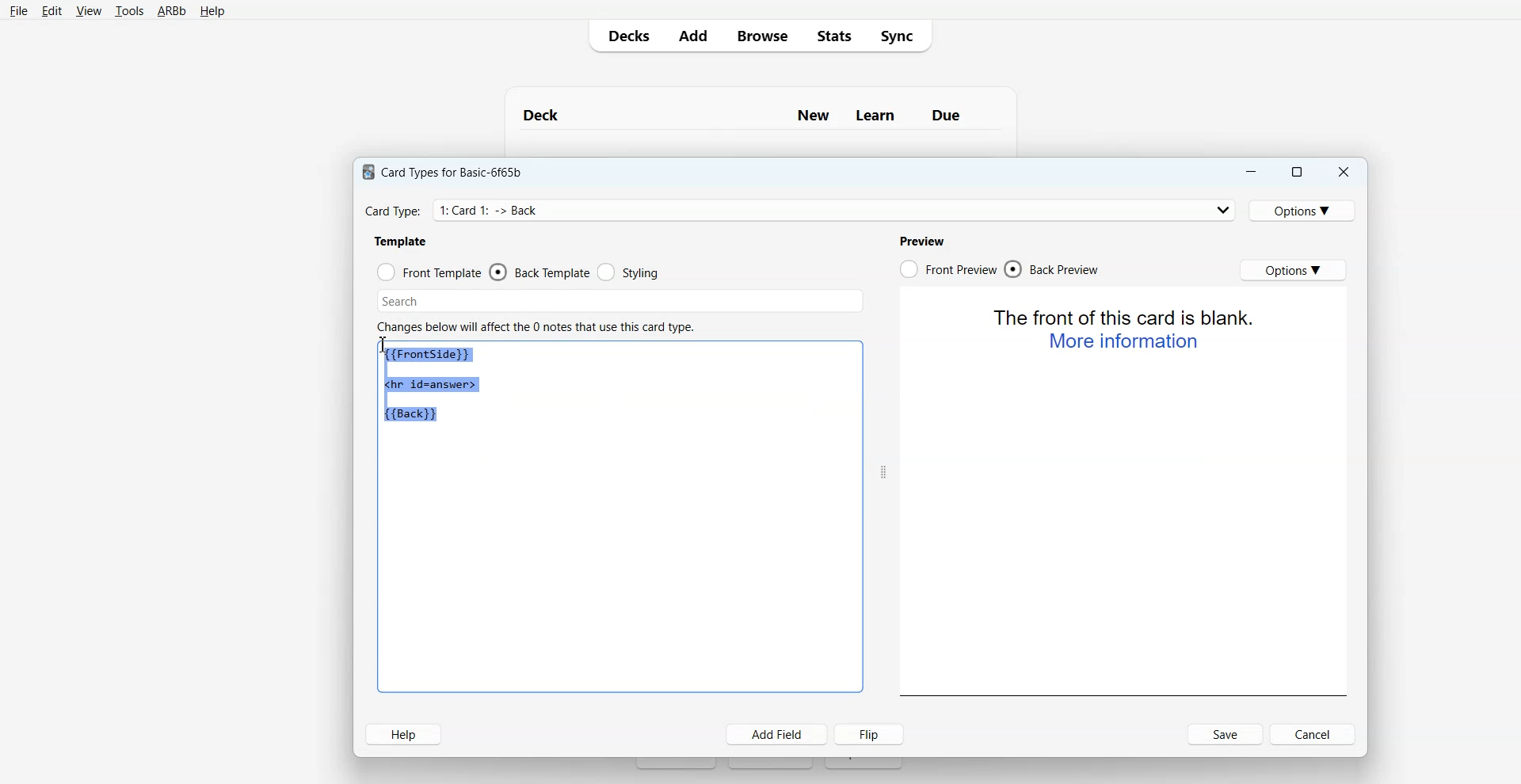 This screenshot has height=784, width=1521. I want to click on Minimize, so click(1252, 171).